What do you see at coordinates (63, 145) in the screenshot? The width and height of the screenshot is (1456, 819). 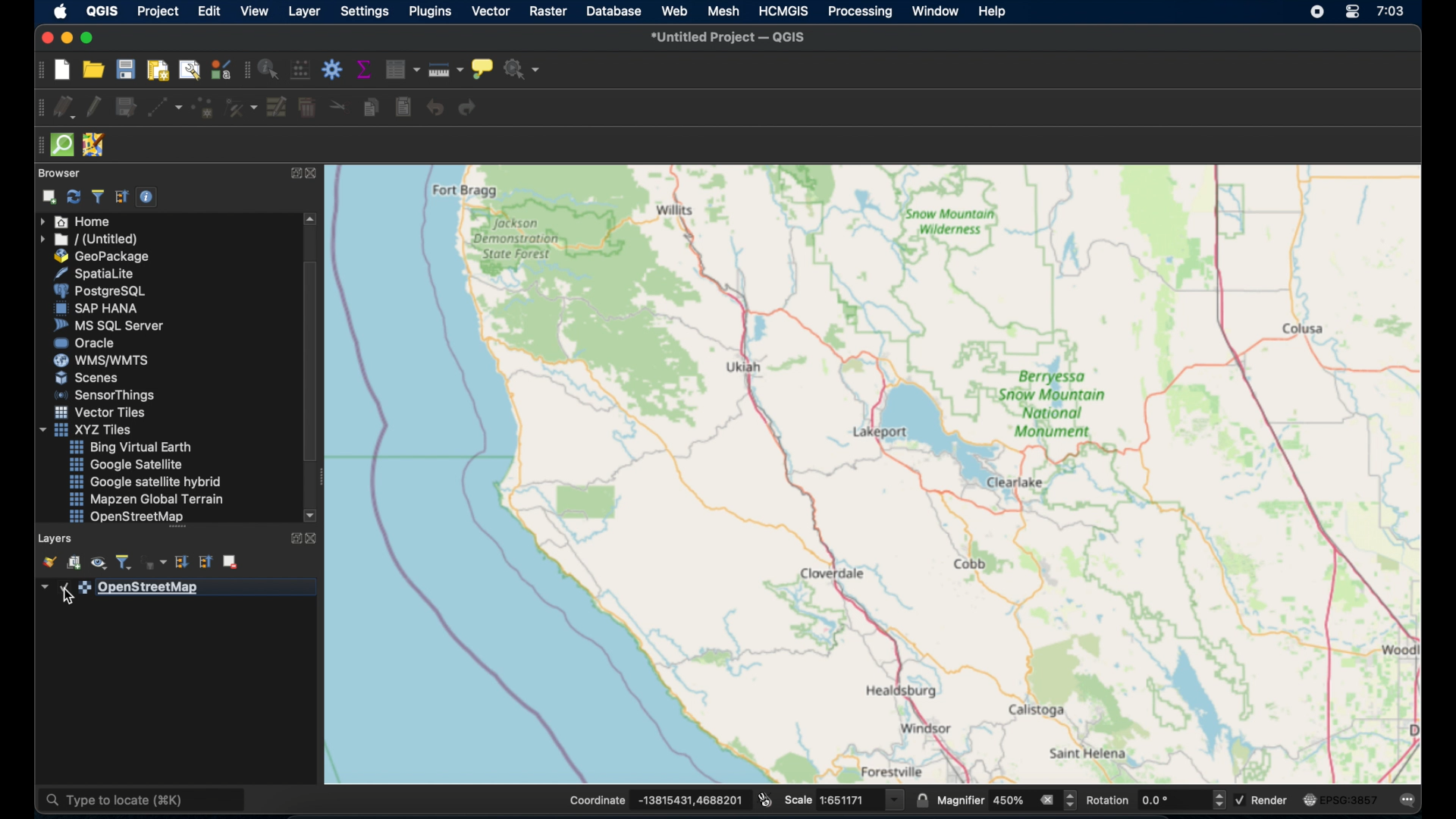 I see `quick som` at bounding box center [63, 145].